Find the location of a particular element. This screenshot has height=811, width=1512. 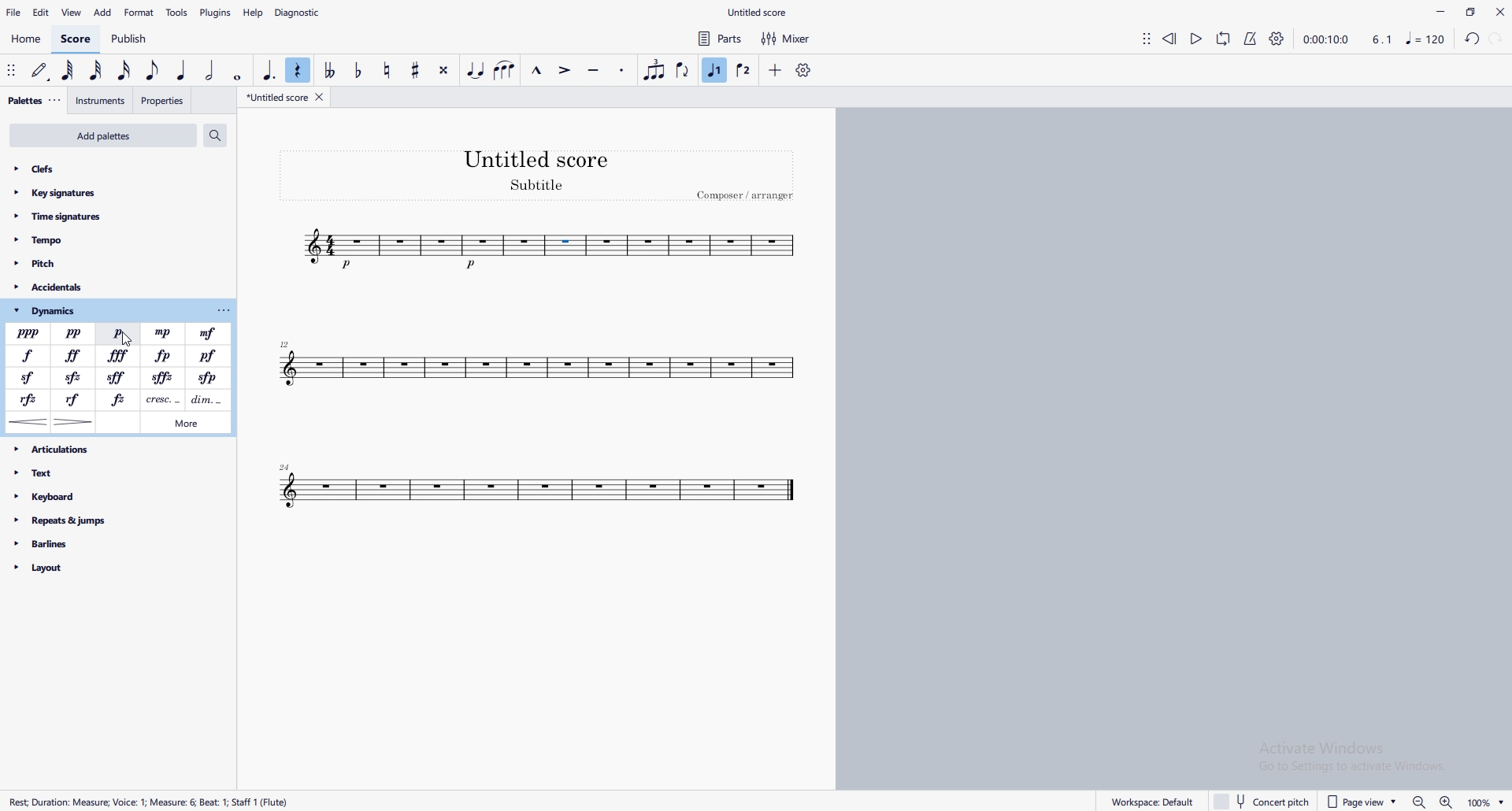

decrescendo line is located at coordinates (209, 402).